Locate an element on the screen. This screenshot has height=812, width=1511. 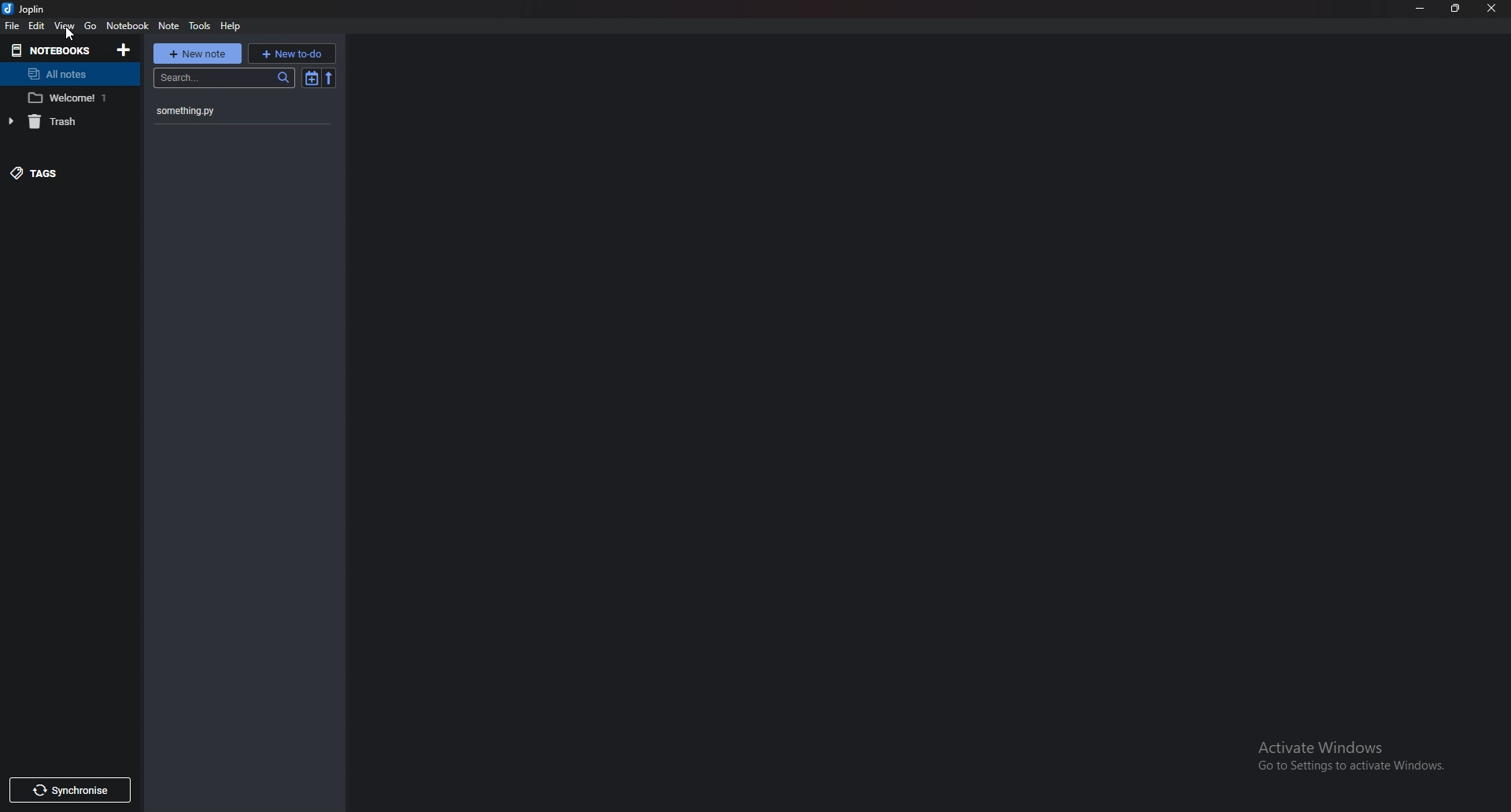
tags is located at coordinates (62, 172).